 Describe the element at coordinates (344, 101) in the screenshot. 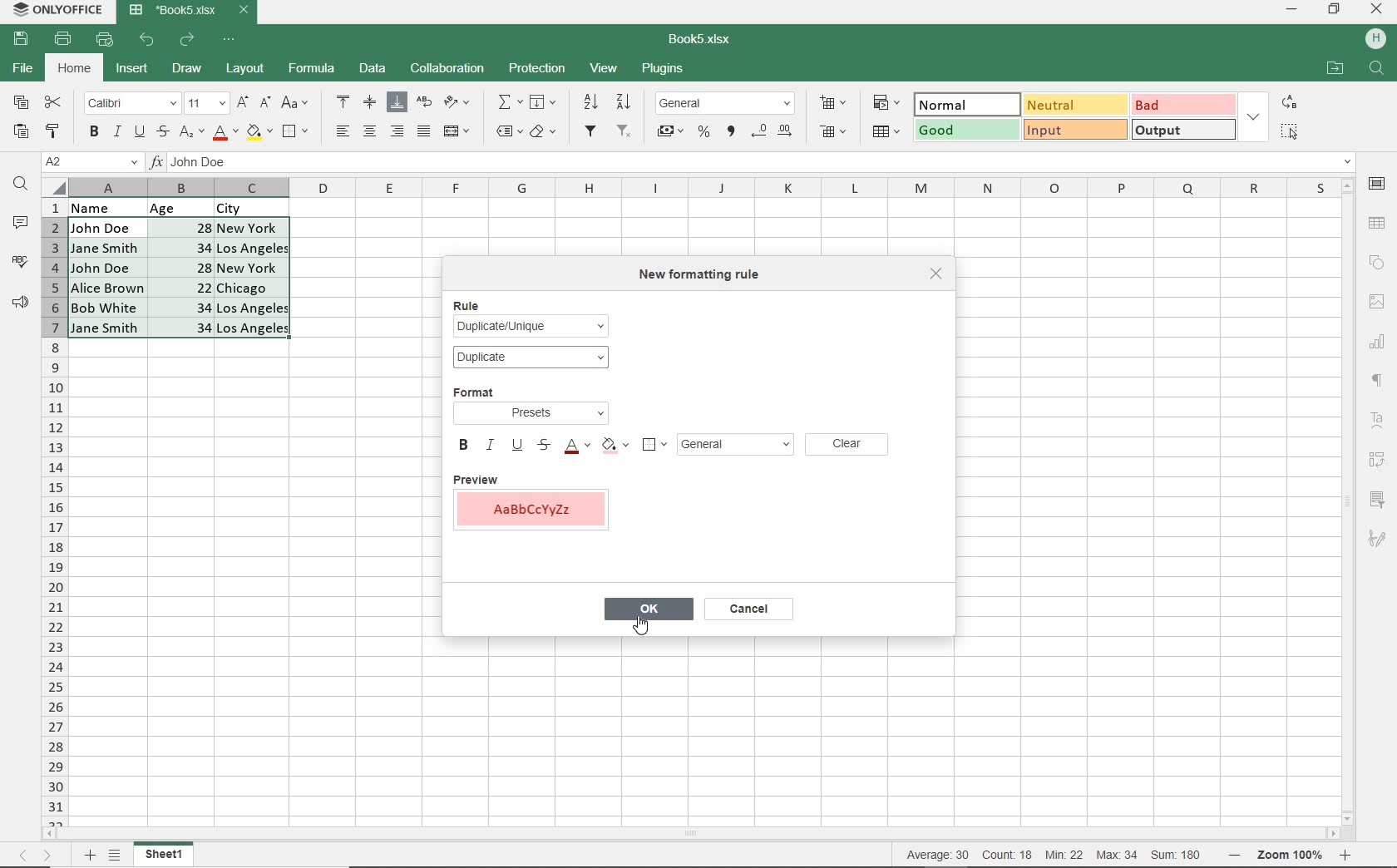

I see `ALIGN TOP` at that location.